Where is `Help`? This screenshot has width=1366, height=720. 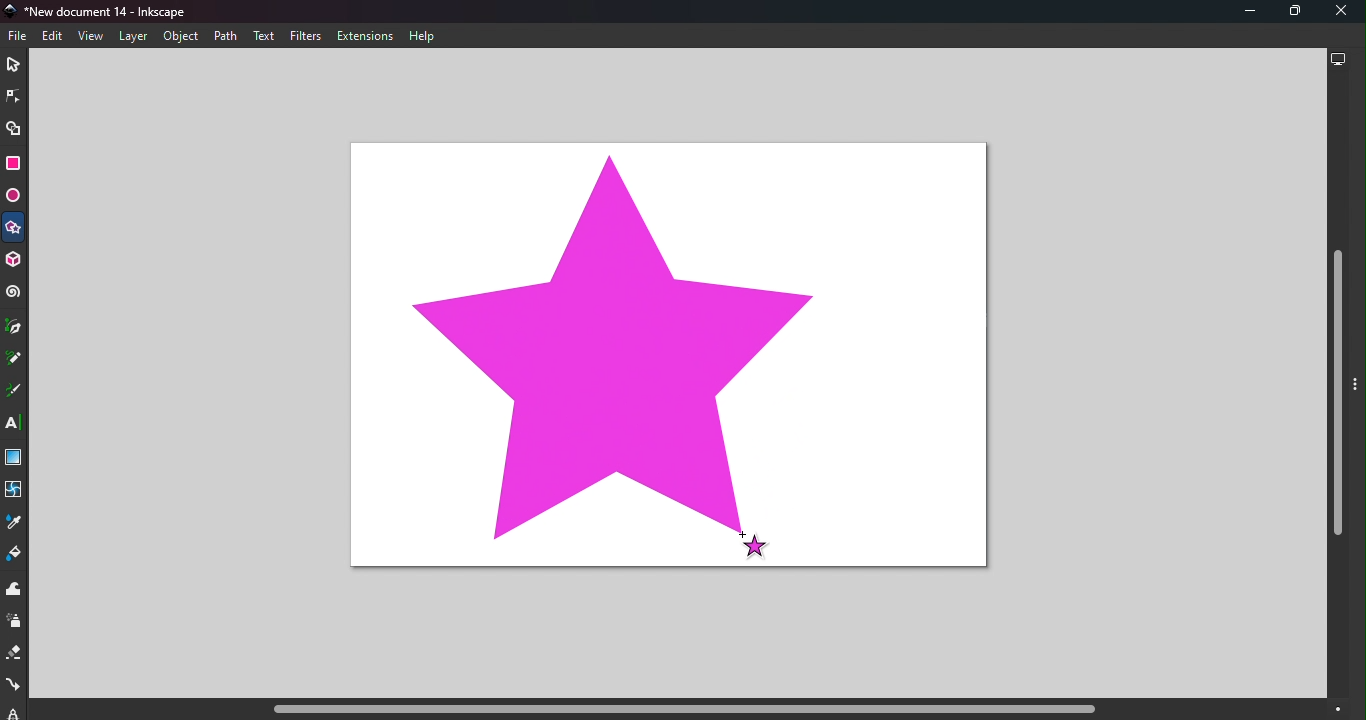 Help is located at coordinates (424, 37).